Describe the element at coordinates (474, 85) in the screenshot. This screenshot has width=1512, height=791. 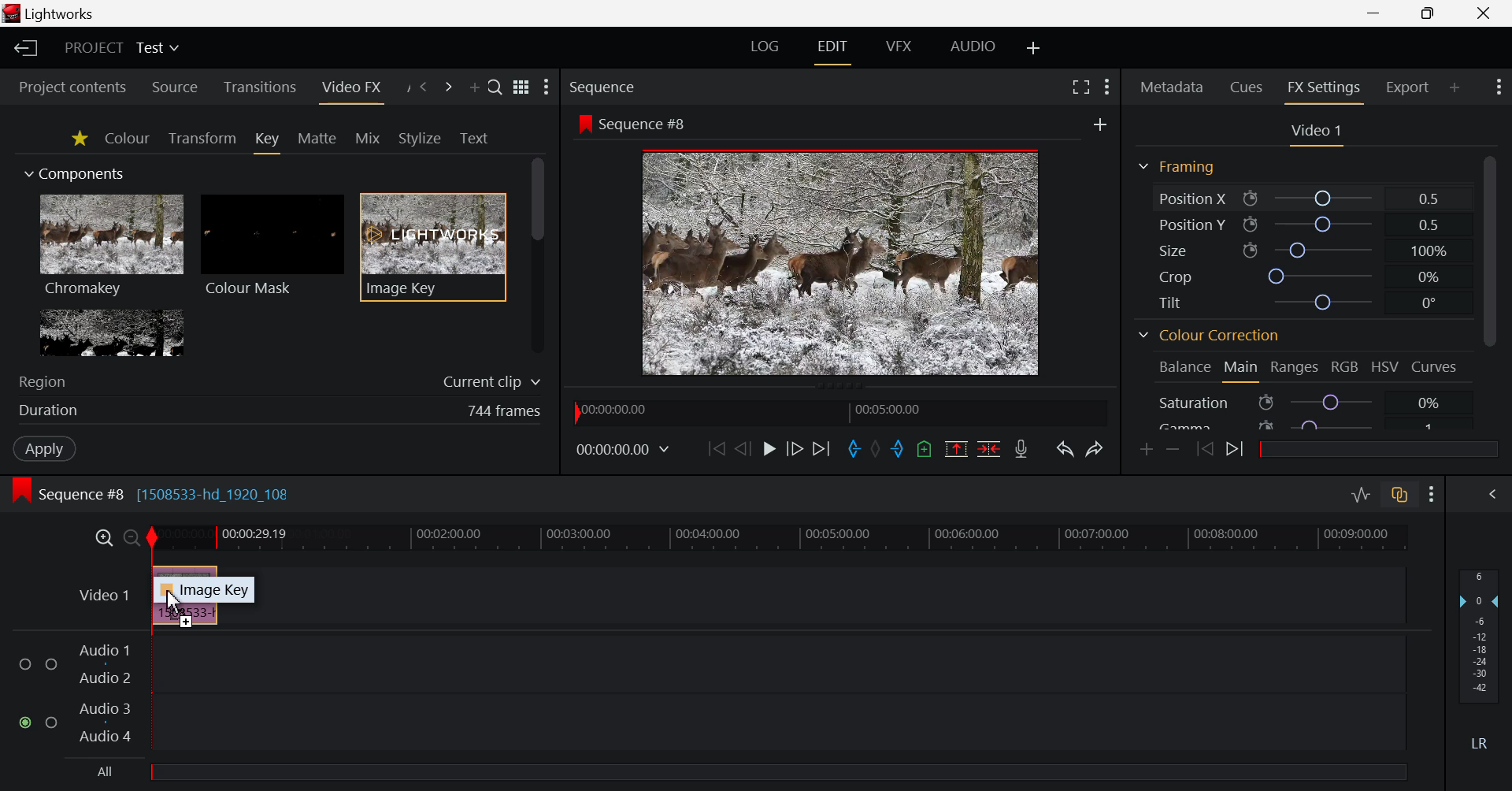
I see `Add Panel` at that location.